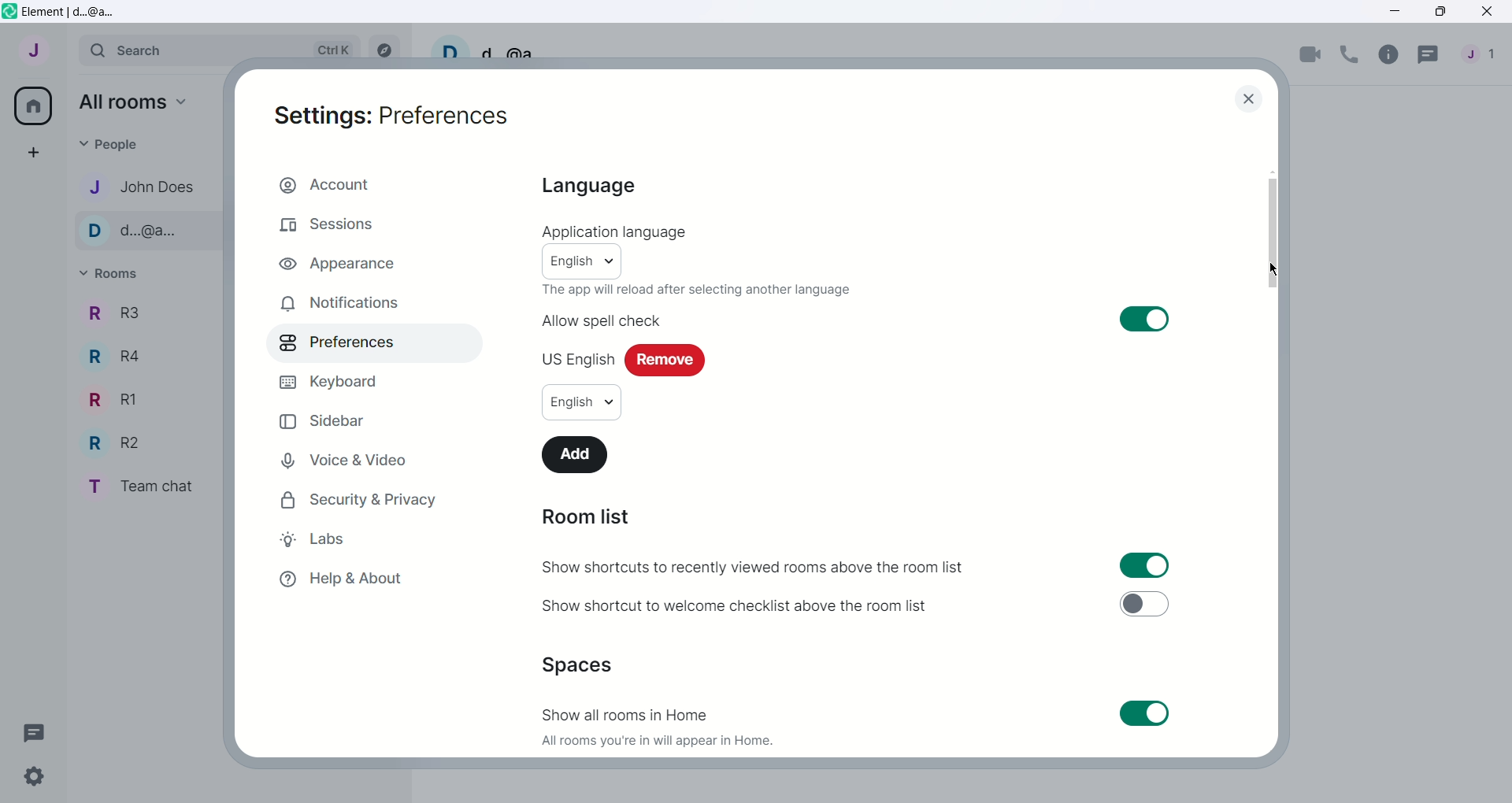 This screenshot has width=1512, height=803. Describe the element at coordinates (35, 48) in the screenshot. I see `User menu` at that location.